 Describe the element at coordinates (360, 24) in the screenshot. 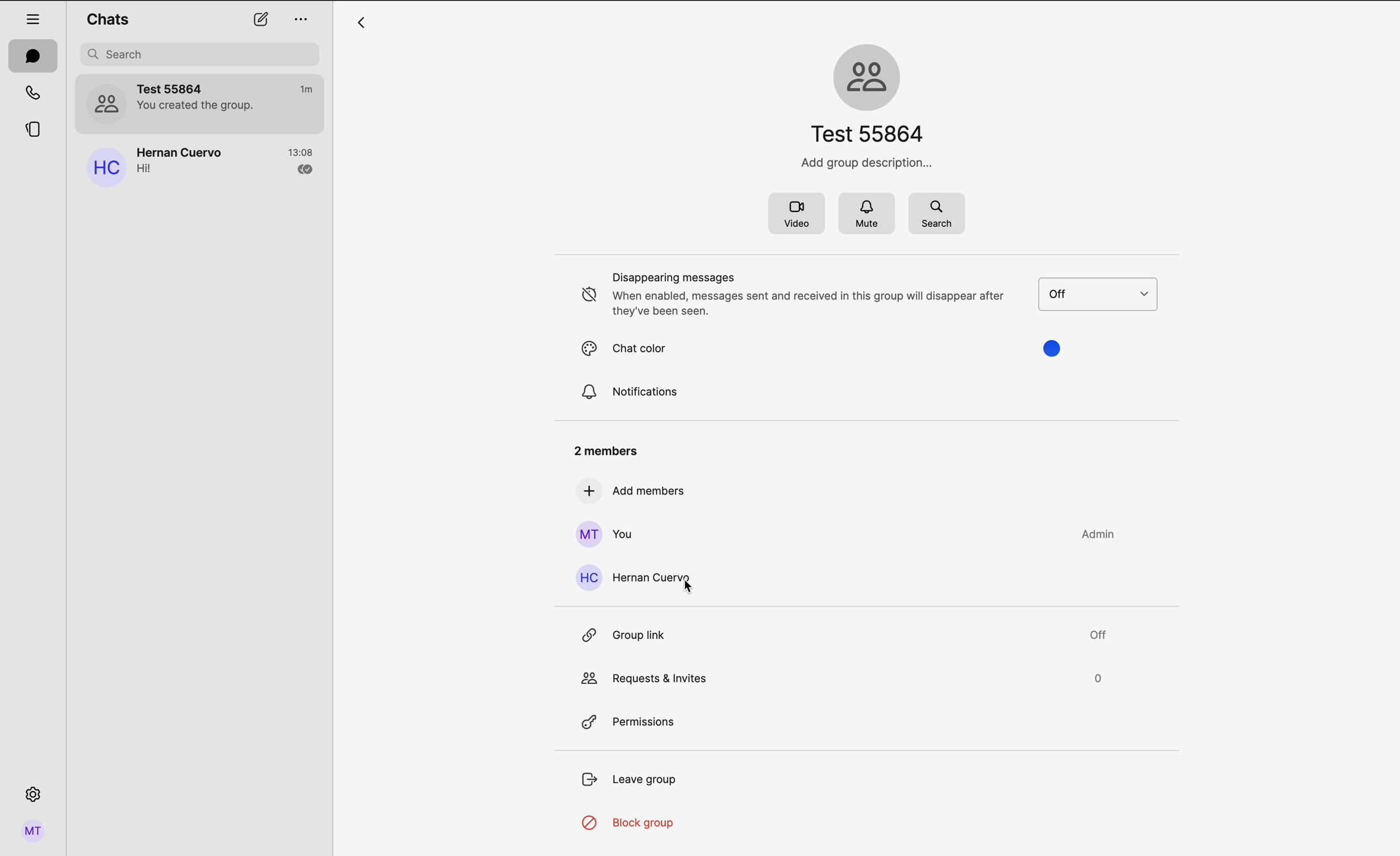

I see `arrow` at that location.